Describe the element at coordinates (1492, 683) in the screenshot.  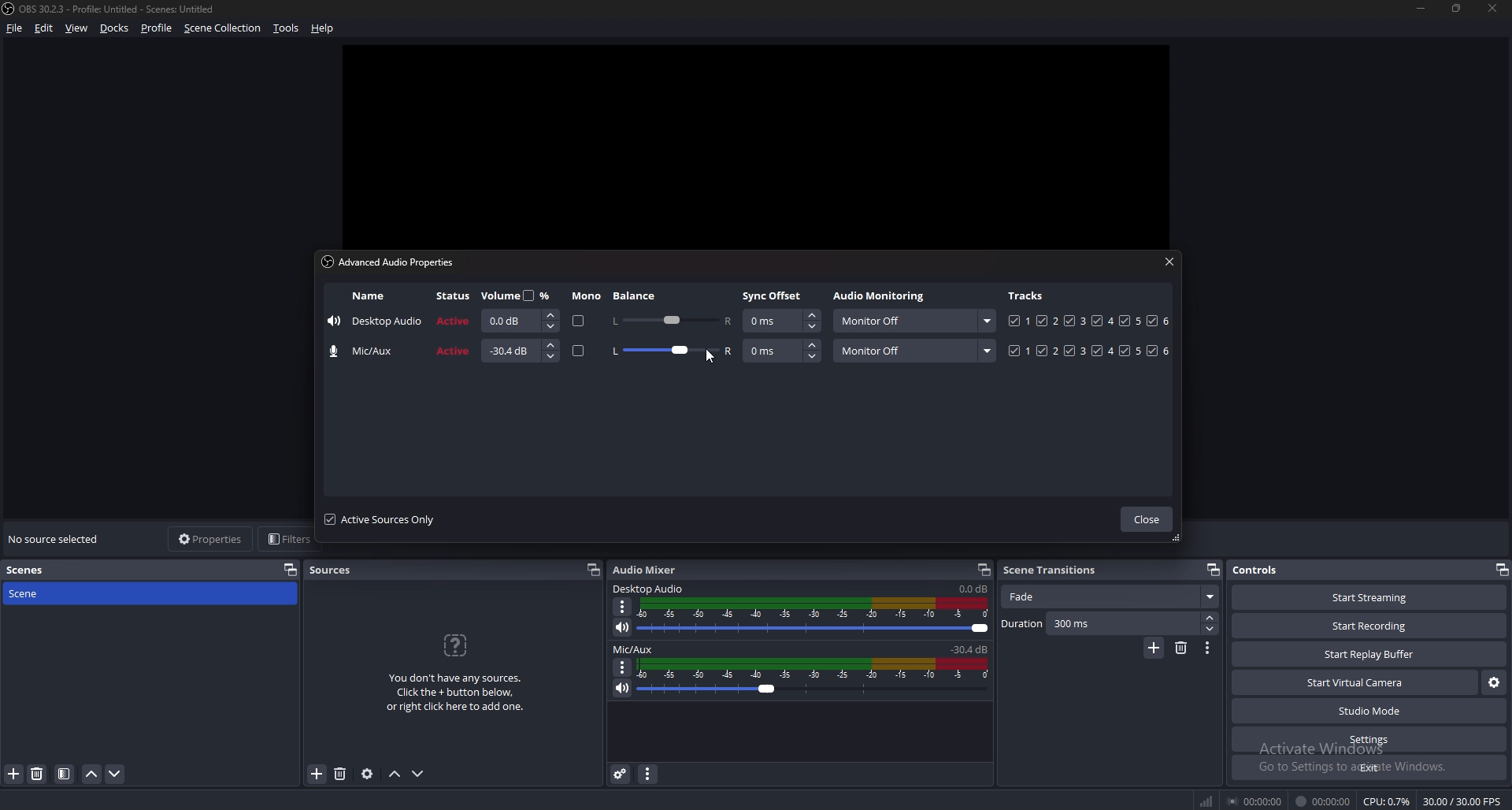
I see `configure virtual camera` at that location.